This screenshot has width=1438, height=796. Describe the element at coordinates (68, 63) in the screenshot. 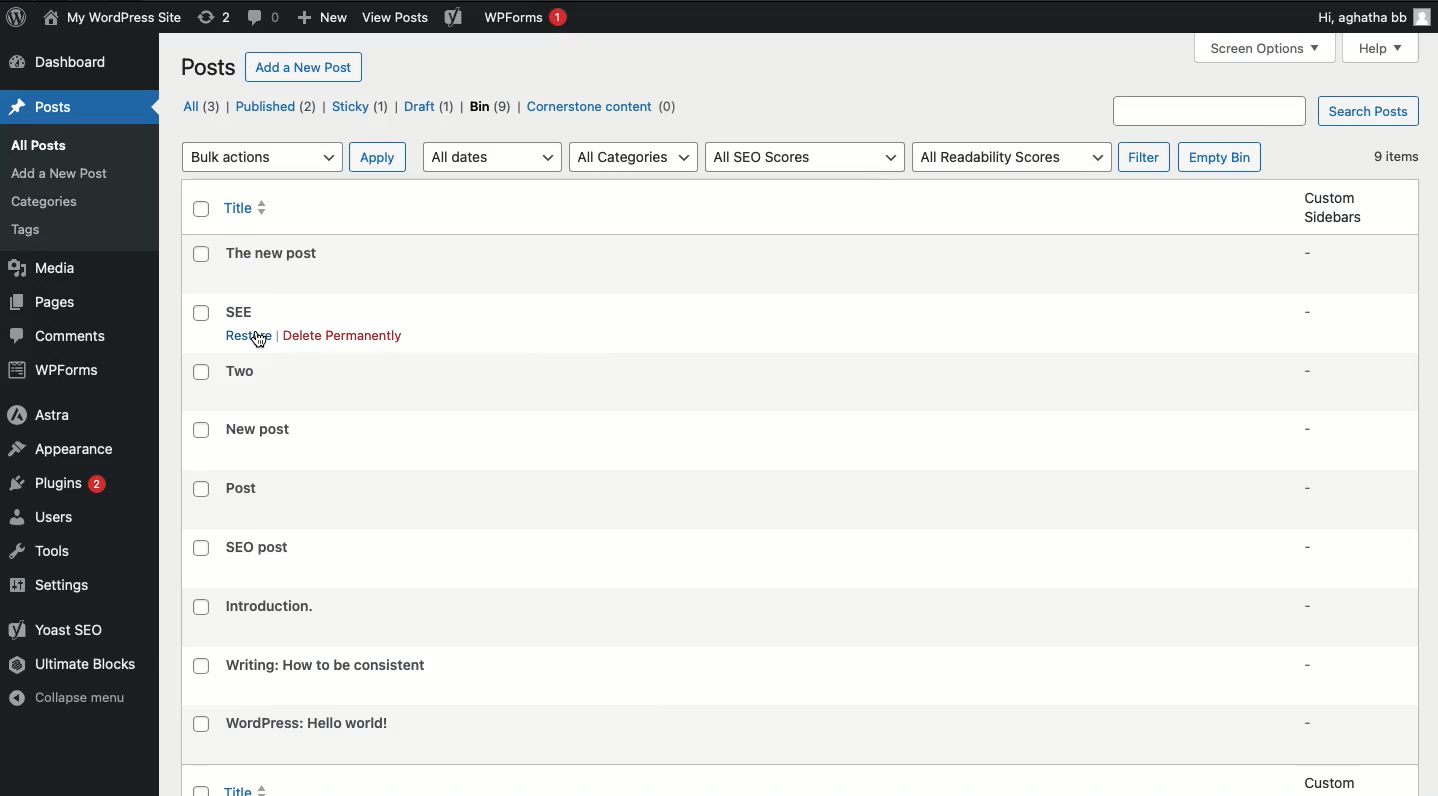

I see `Dashboard` at that location.